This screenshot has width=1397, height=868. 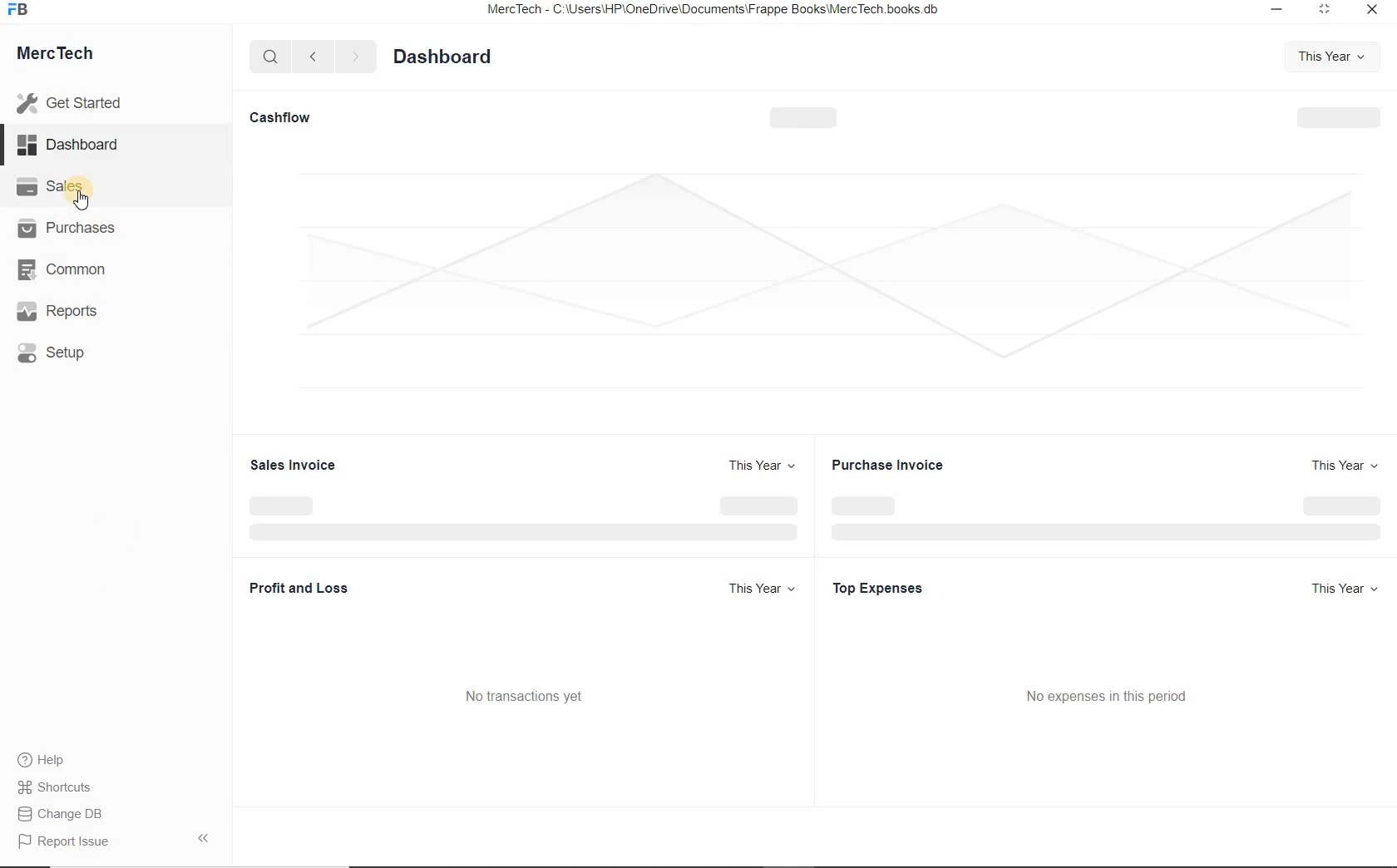 What do you see at coordinates (1328, 11) in the screenshot?
I see `Maximize` at bounding box center [1328, 11].